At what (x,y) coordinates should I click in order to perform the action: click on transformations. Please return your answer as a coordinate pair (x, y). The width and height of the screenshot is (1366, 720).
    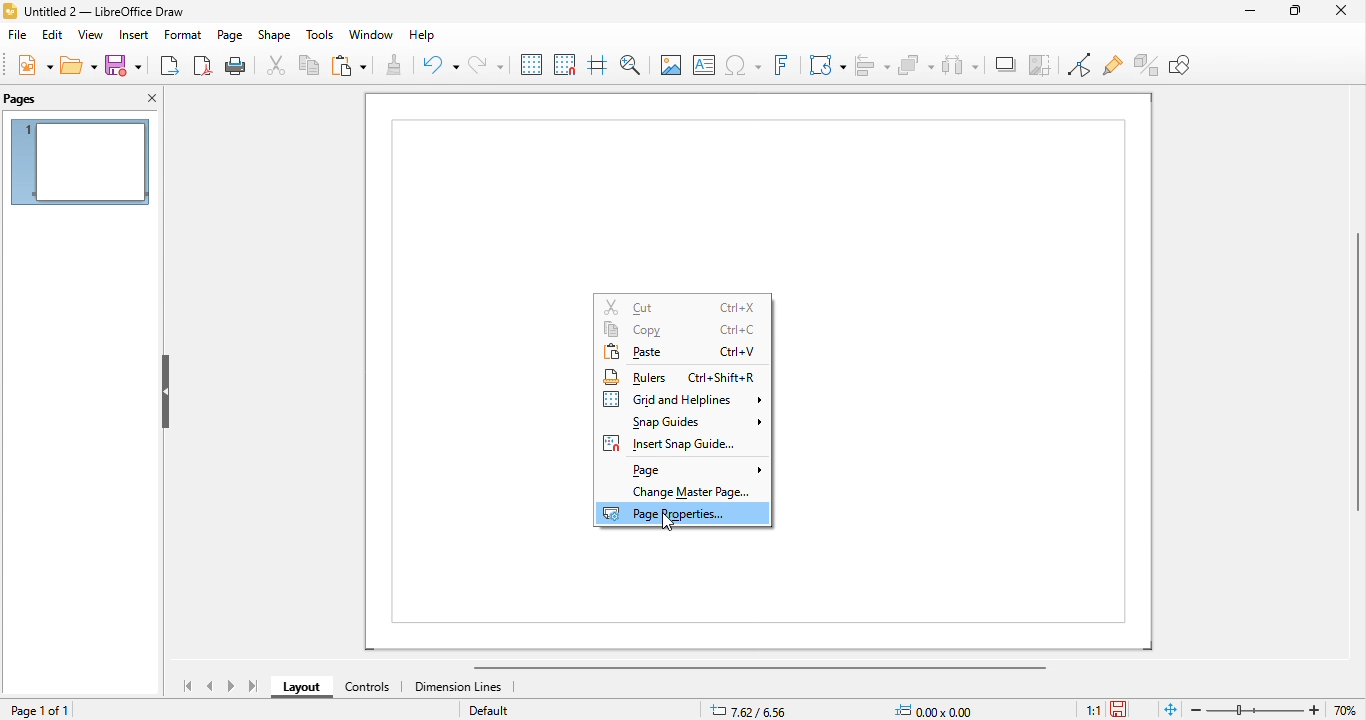
    Looking at the image, I should click on (826, 65).